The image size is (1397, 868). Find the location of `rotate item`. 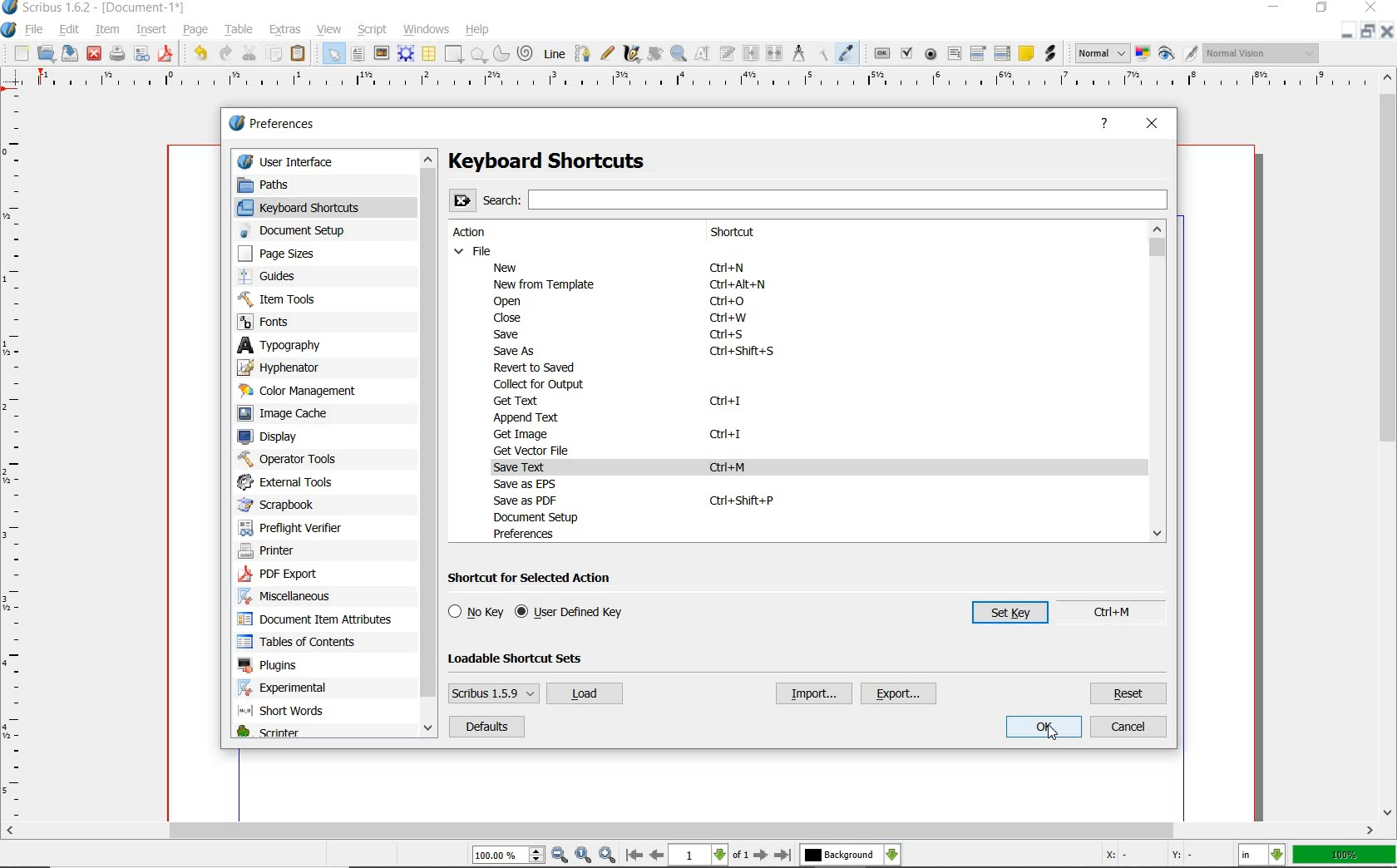

rotate item is located at coordinates (655, 55).